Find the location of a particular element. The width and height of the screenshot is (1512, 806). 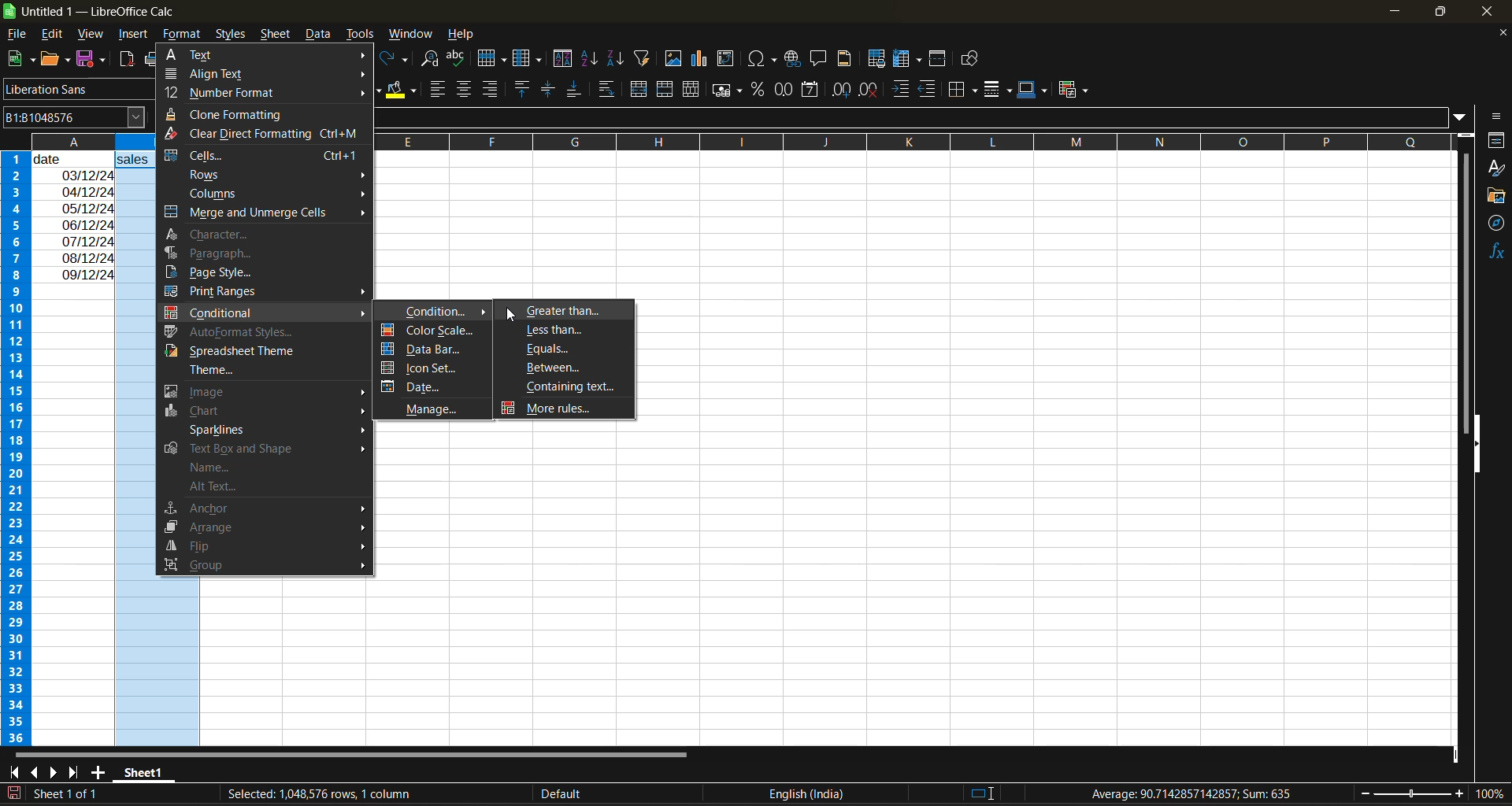

data is located at coordinates (74, 216).